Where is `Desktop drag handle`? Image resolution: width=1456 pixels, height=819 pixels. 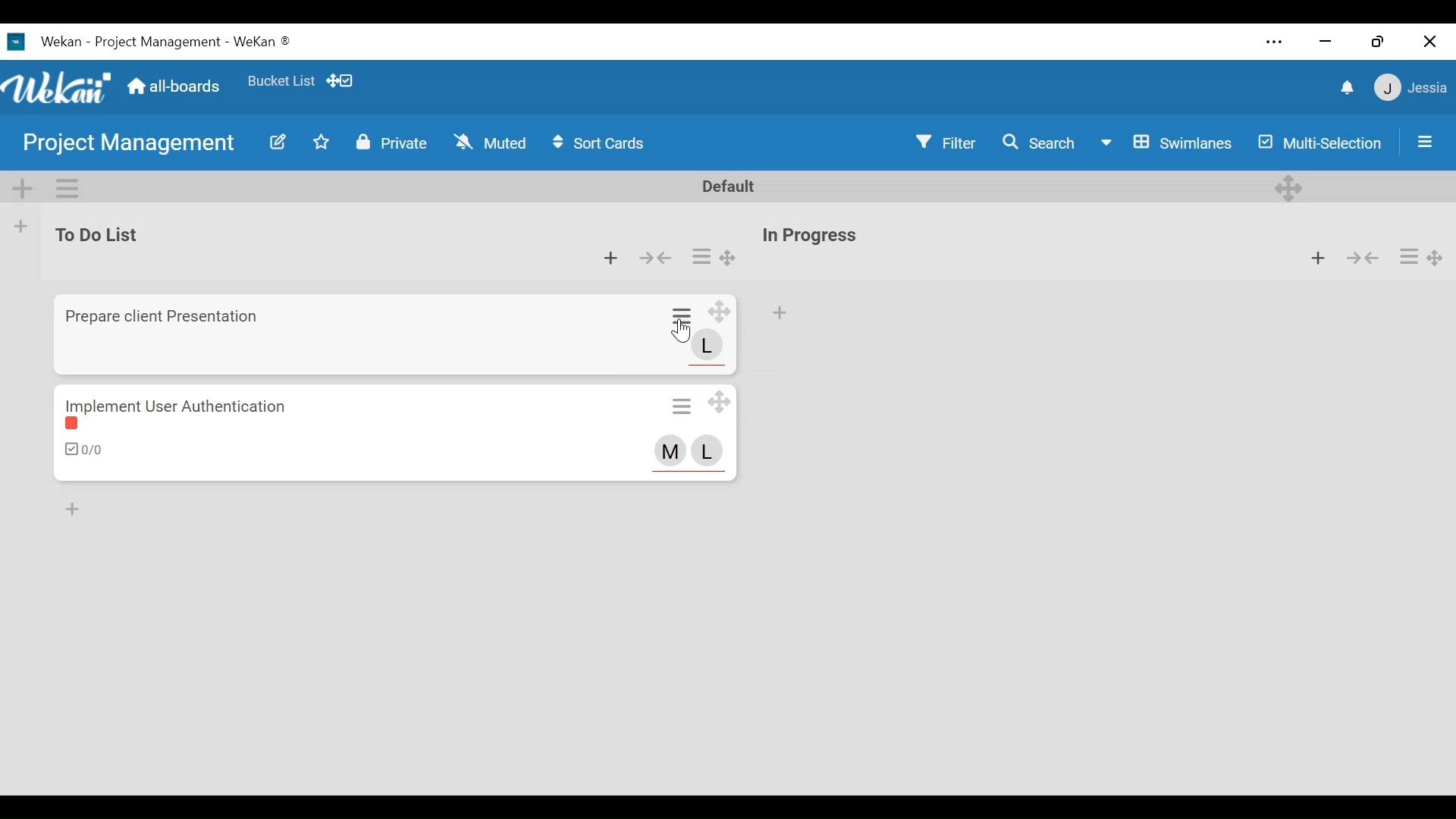 Desktop drag handle is located at coordinates (1437, 259).